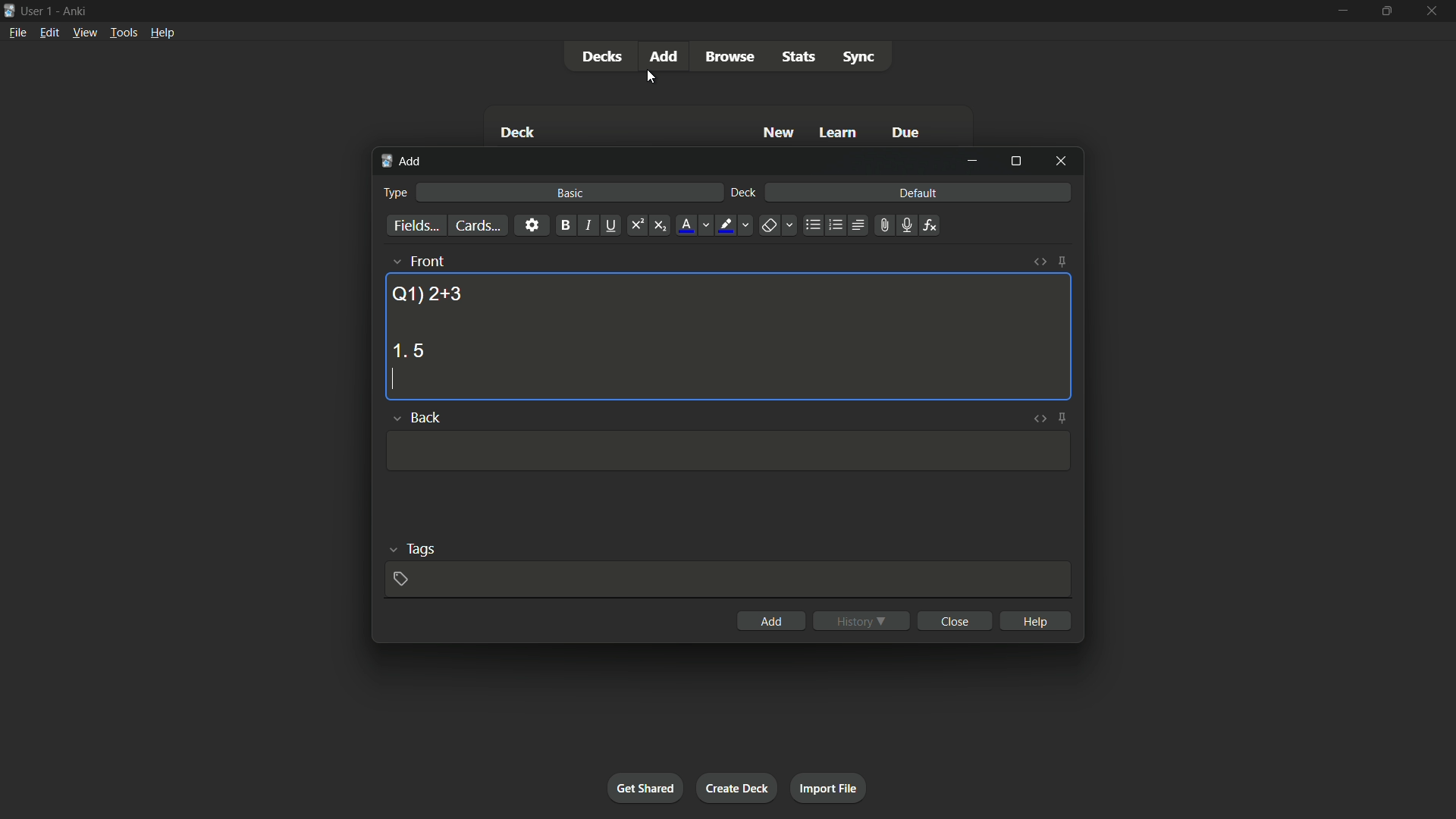 Image resolution: width=1456 pixels, height=819 pixels. I want to click on close app, so click(1433, 11).